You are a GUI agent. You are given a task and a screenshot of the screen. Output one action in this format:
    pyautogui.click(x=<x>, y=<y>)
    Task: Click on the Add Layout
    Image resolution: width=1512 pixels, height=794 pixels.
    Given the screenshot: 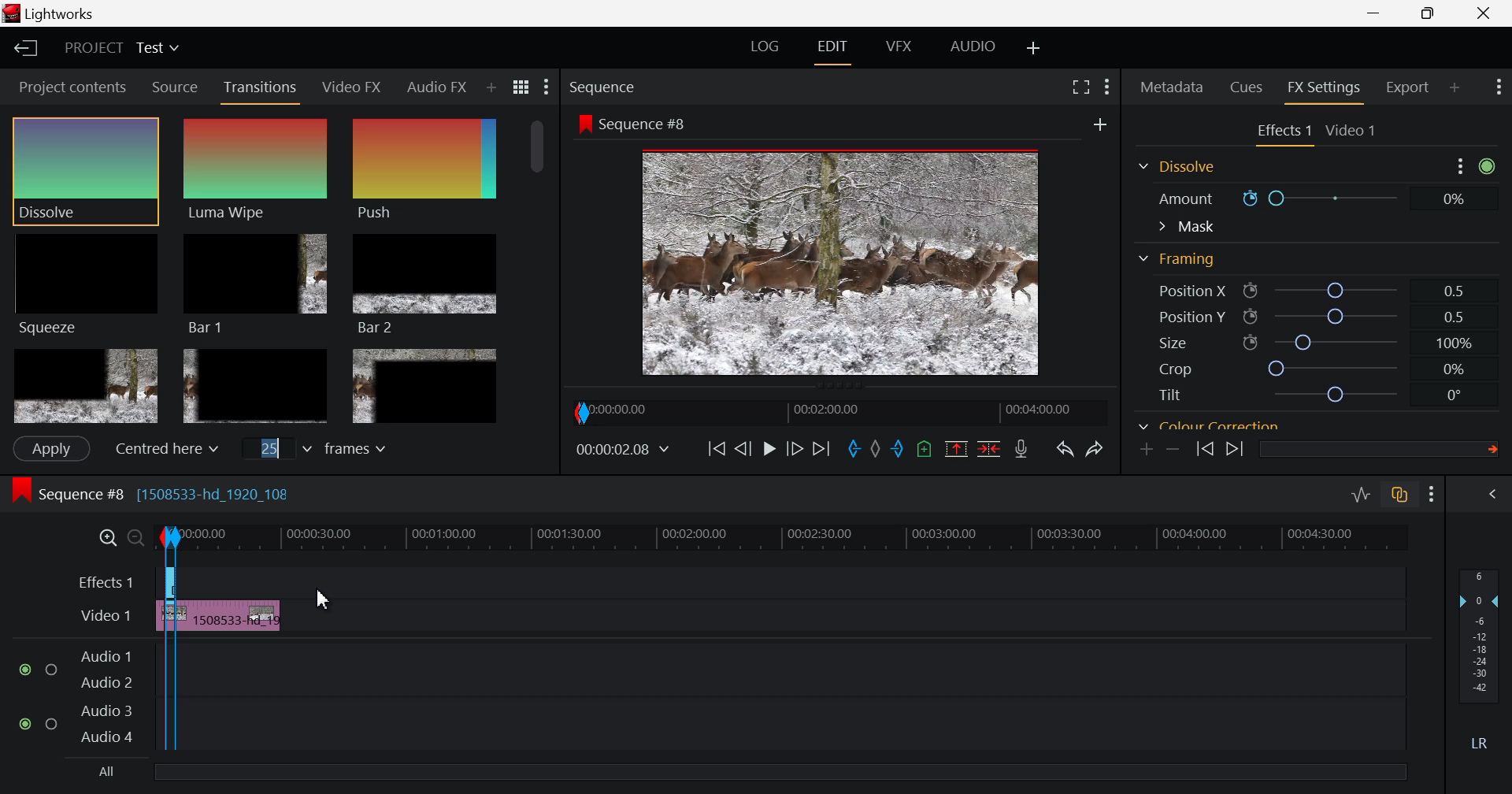 What is the action you would take?
    pyautogui.click(x=1035, y=47)
    